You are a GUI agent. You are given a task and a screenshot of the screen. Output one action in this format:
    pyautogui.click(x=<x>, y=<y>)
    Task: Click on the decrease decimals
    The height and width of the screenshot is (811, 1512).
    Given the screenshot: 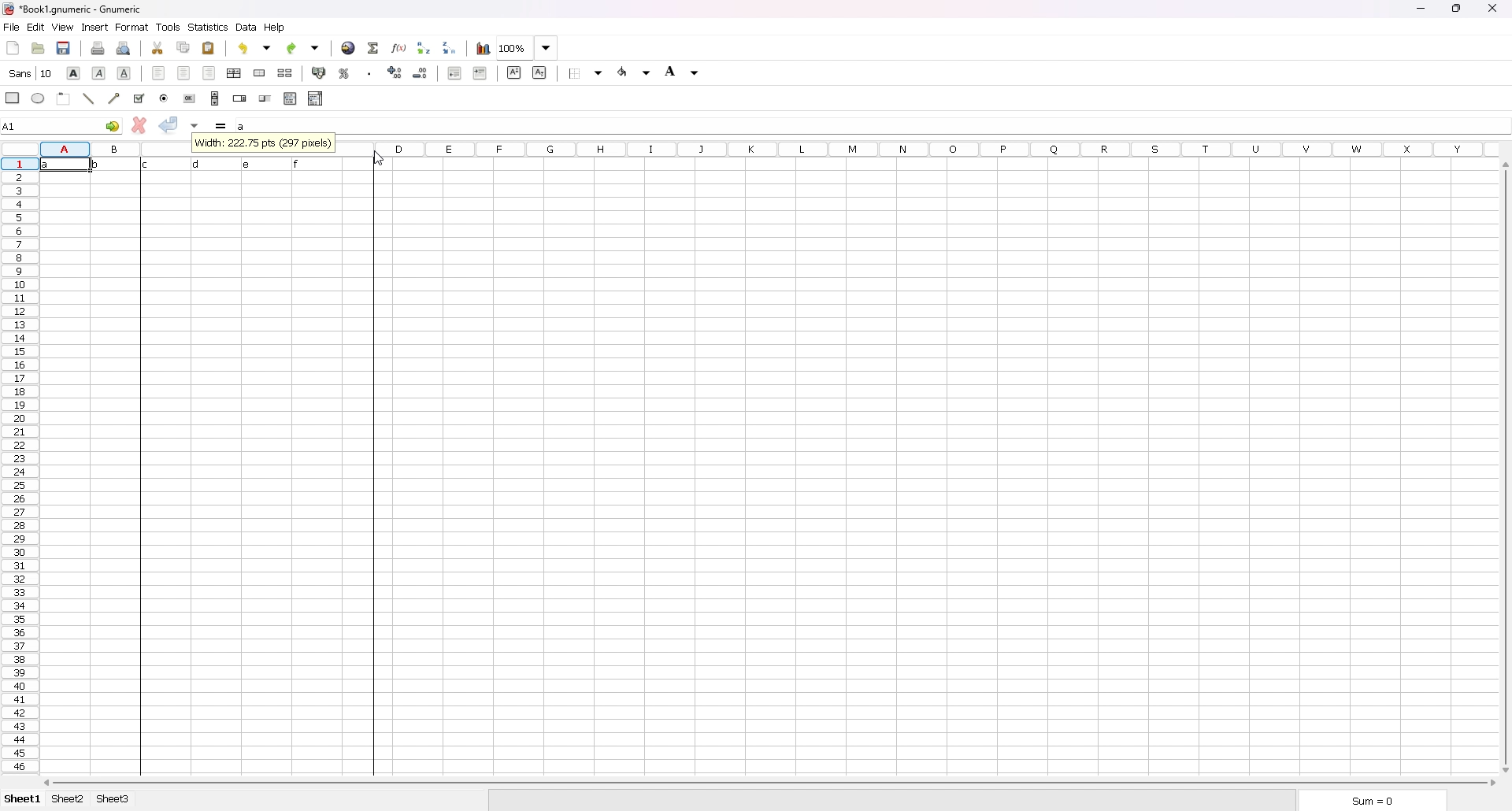 What is the action you would take?
    pyautogui.click(x=421, y=72)
    